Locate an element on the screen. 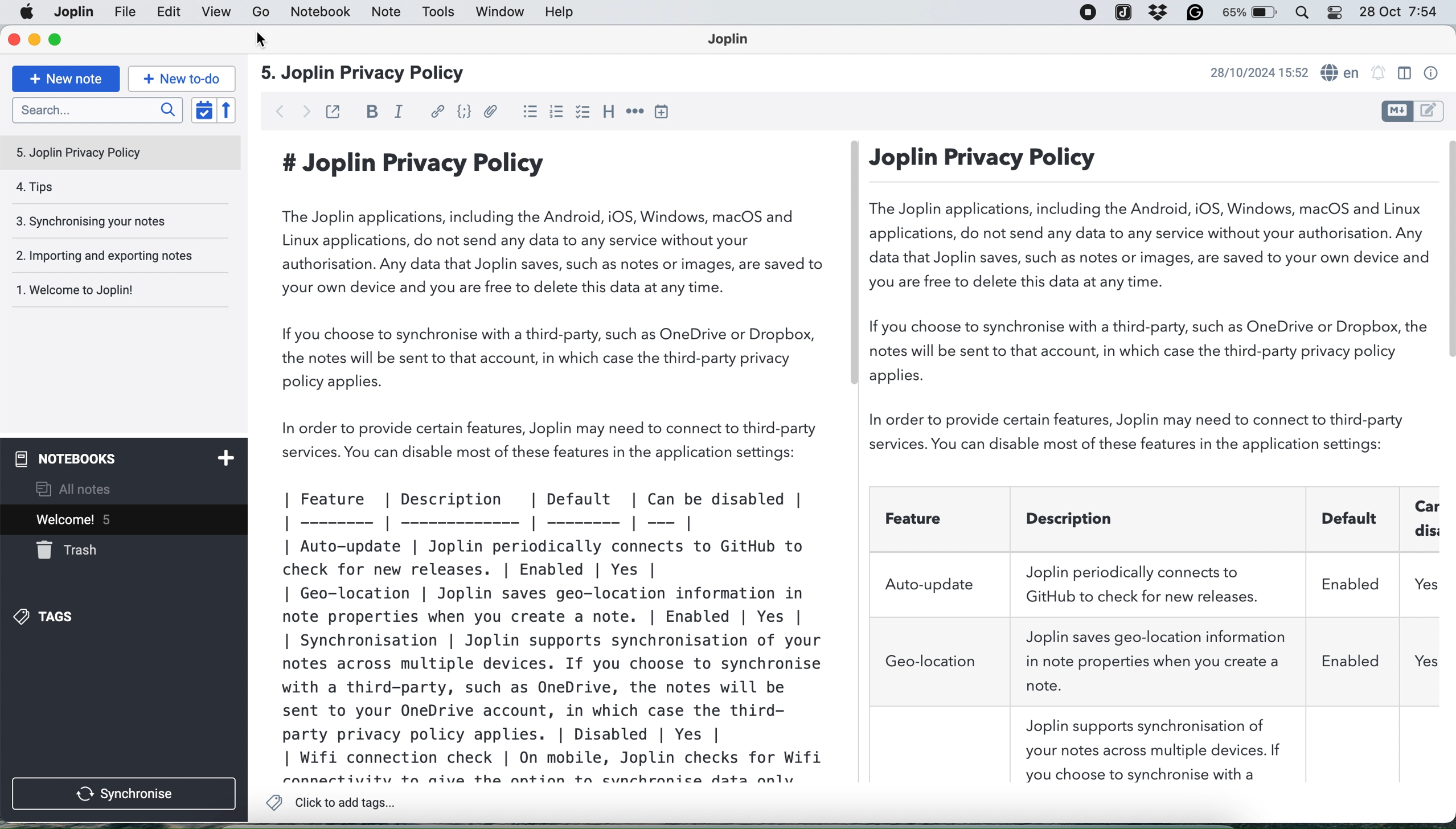 The image size is (1456, 829). synchronise is located at coordinates (125, 795).